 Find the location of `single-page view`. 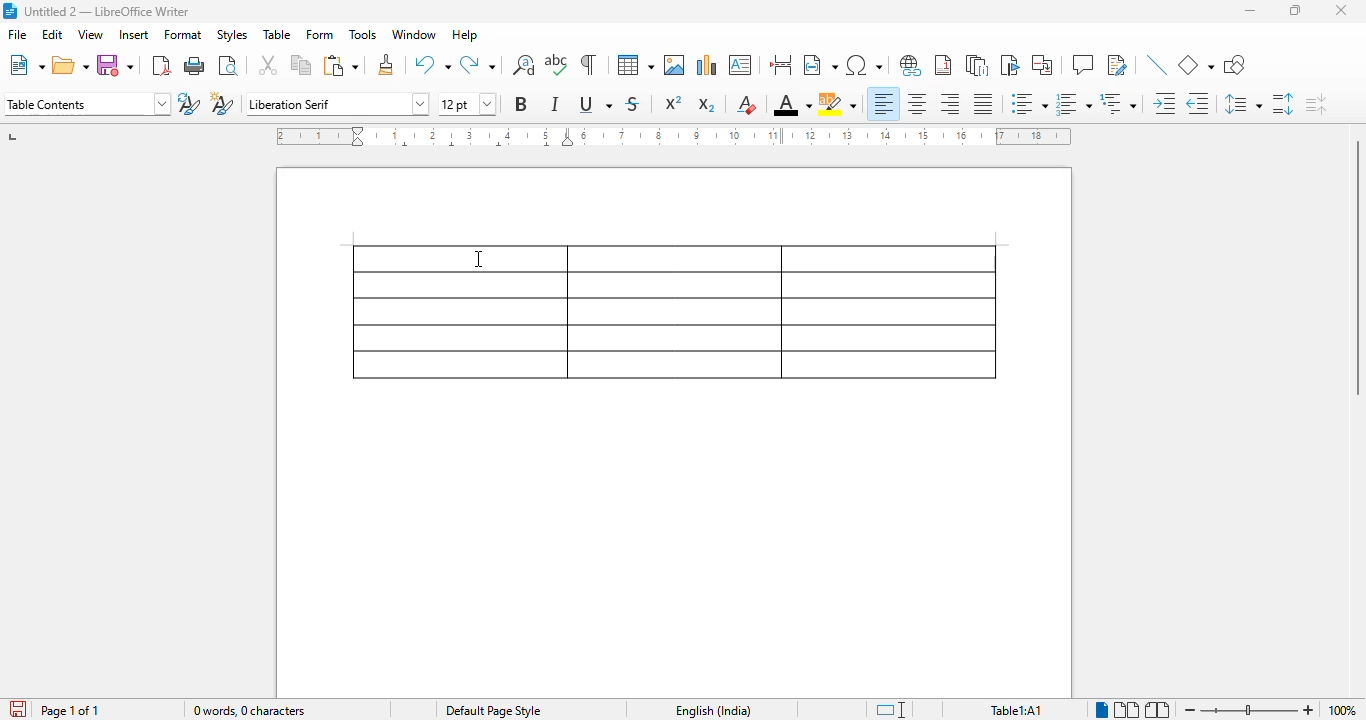

single-page view is located at coordinates (1103, 710).